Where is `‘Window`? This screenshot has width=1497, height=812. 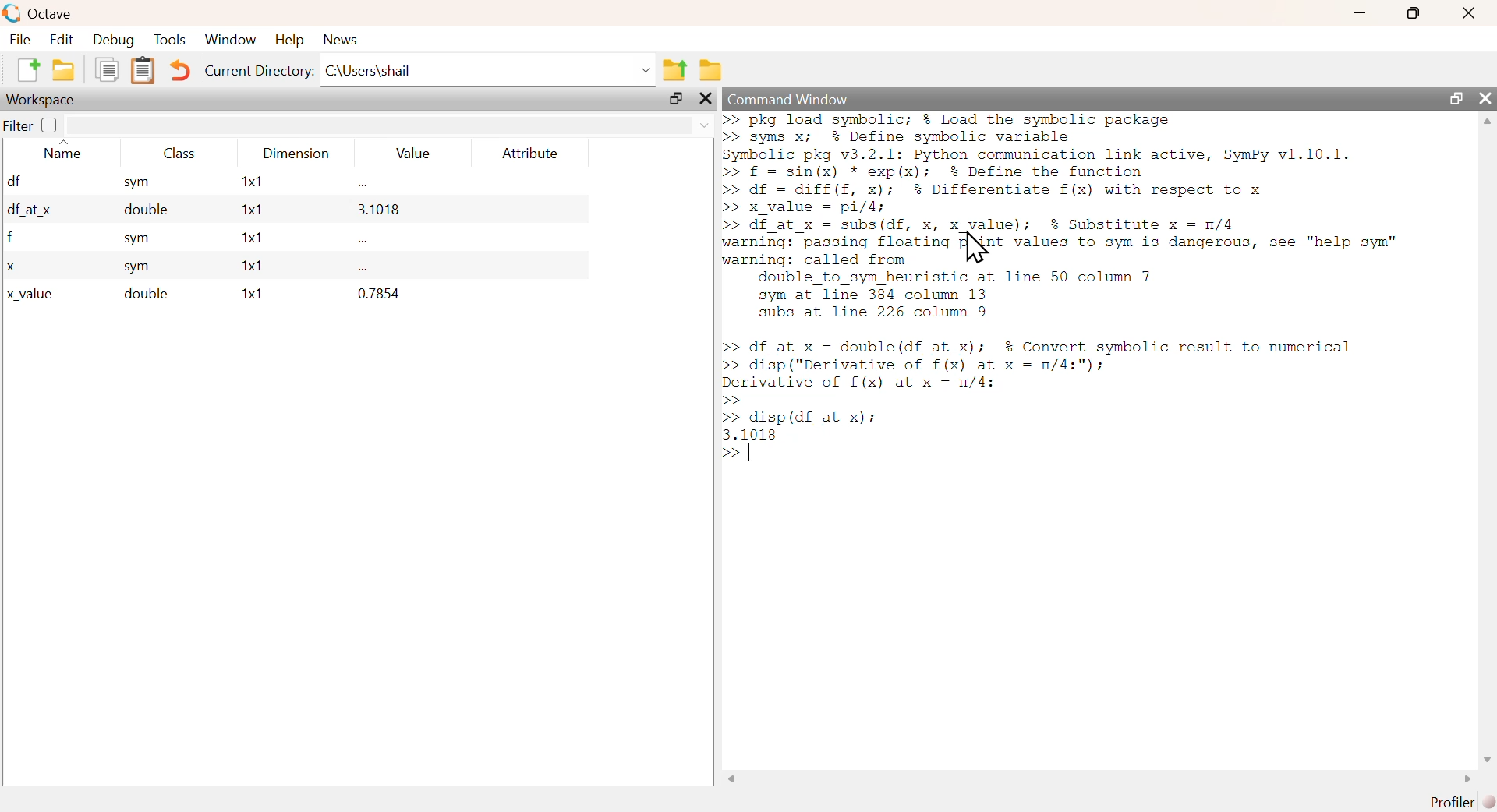
‘Window is located at coordinates (228, 41).